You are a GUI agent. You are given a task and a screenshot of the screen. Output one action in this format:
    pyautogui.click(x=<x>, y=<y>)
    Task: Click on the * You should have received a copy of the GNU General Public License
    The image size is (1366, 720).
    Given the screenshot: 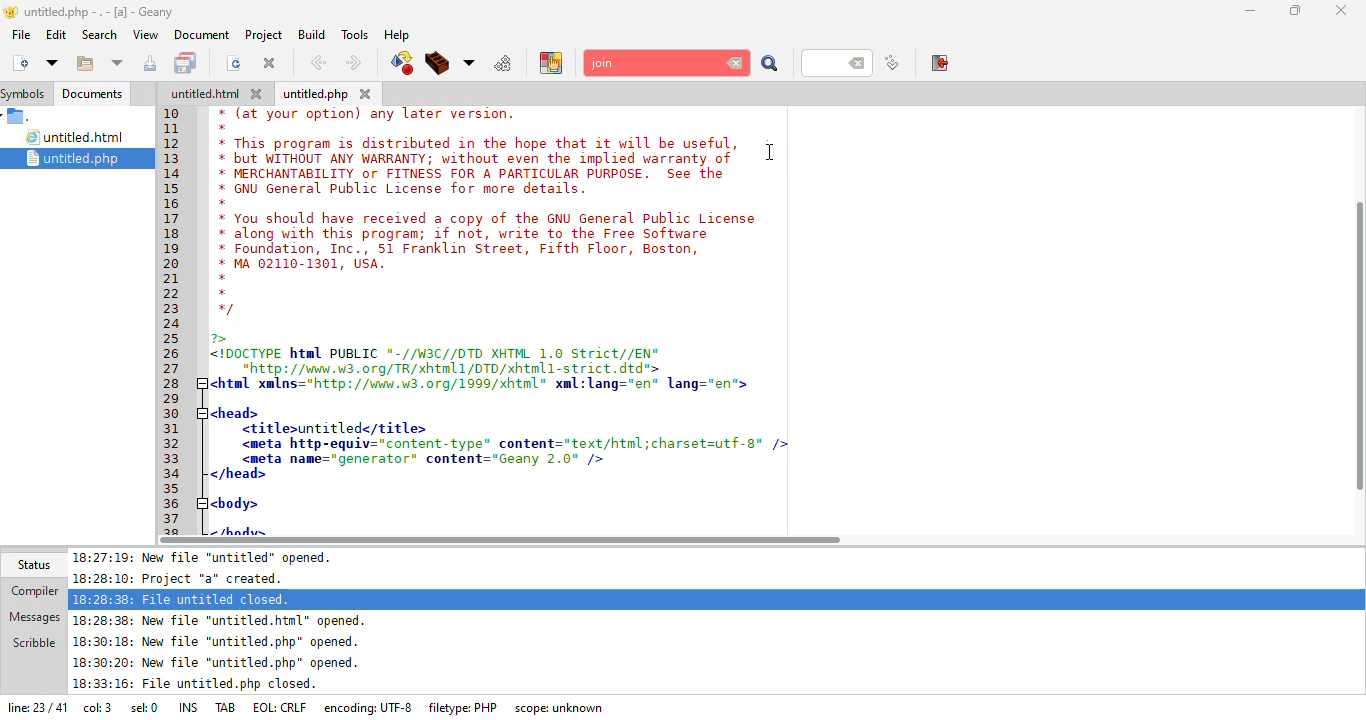 What is the action you would take?
    pyautogui.click(x=489, y=218)
    